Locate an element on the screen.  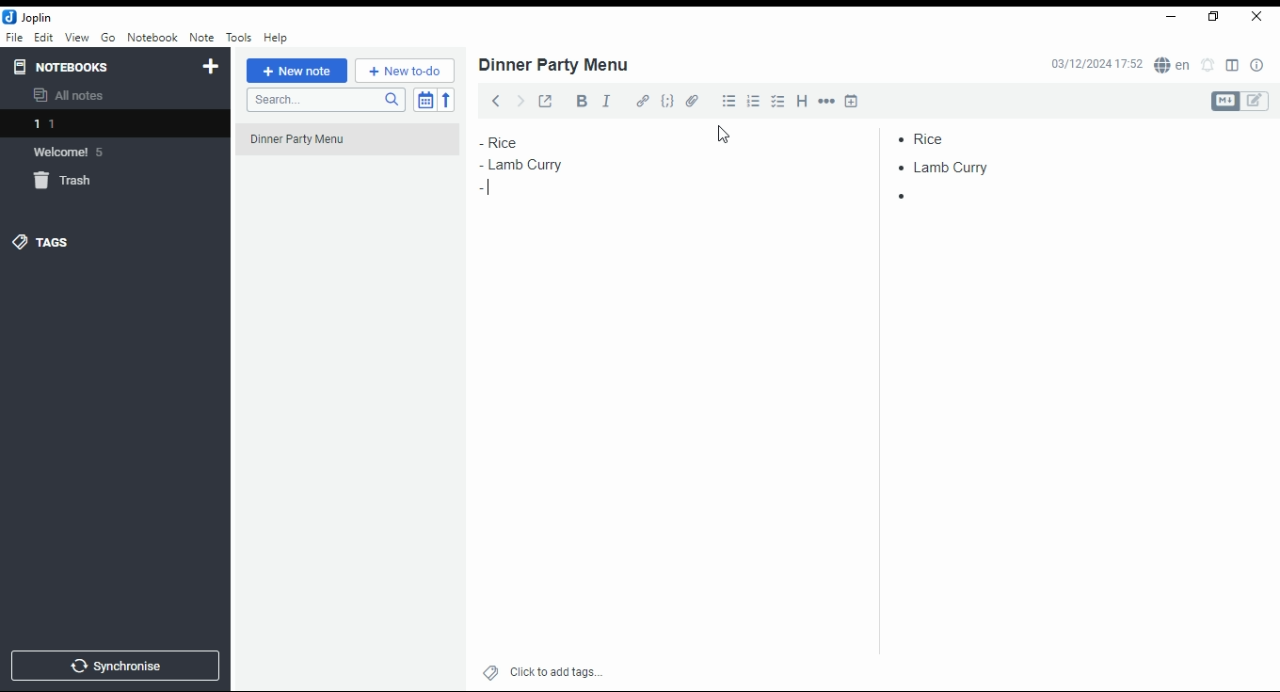
cursor is located at coordinates (726, 136).